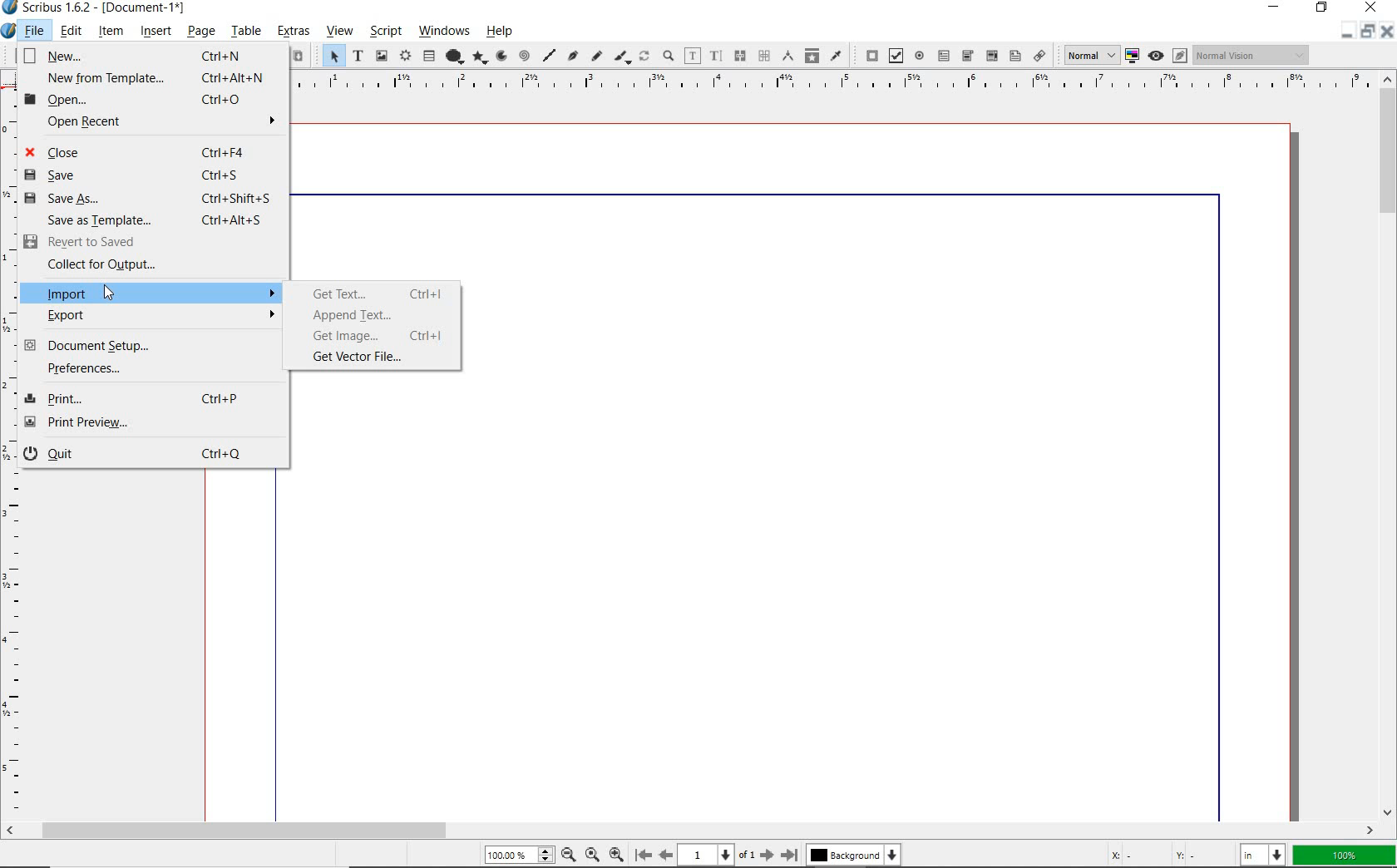 The height and width of the screenshot is (868, 1397). What do you see at coordinates (920, 55) in the screenshot?
I see `pdf radio button` at bounding box center [920, 55].